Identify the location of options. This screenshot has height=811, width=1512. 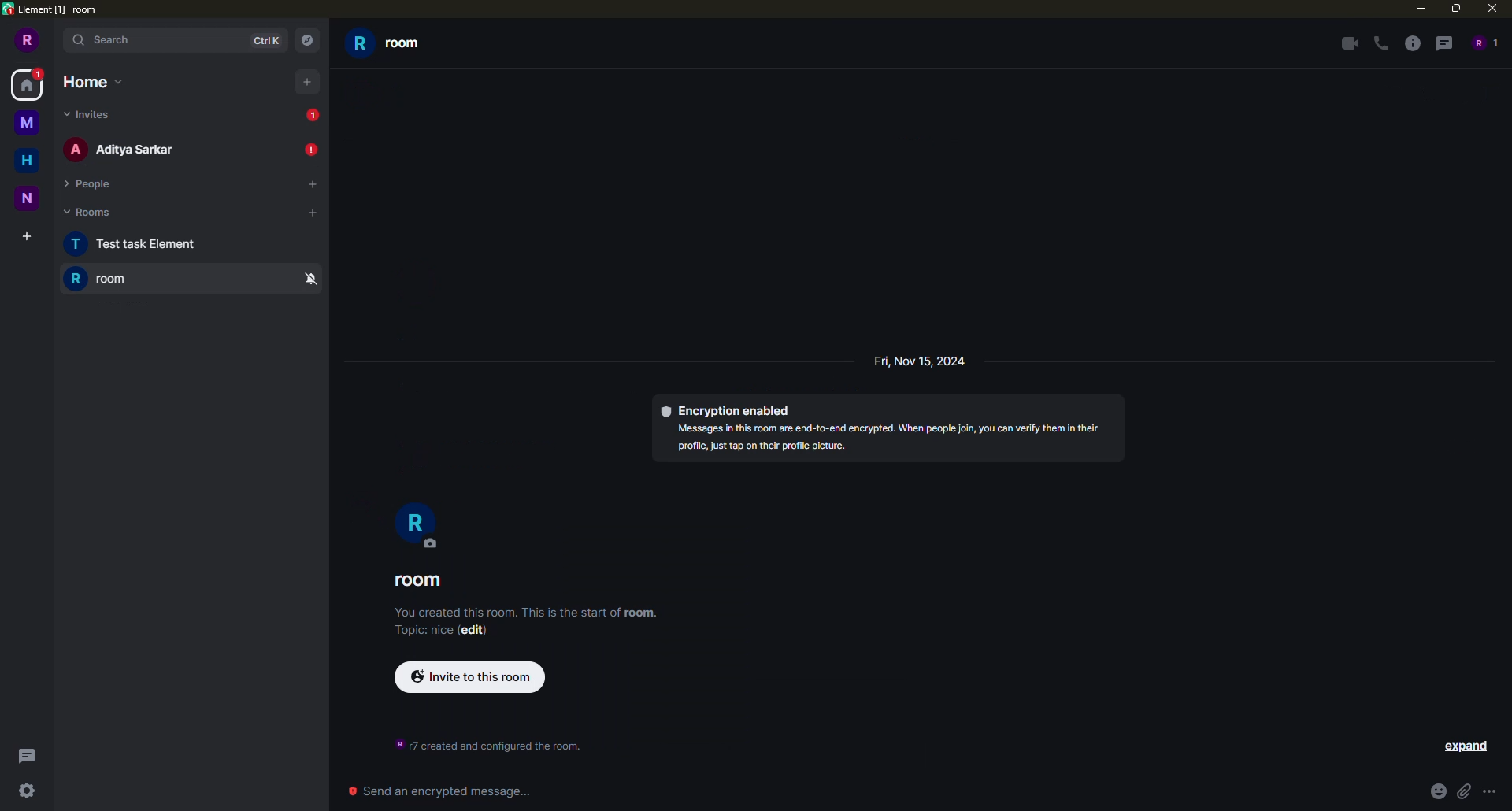
(1494, 792).